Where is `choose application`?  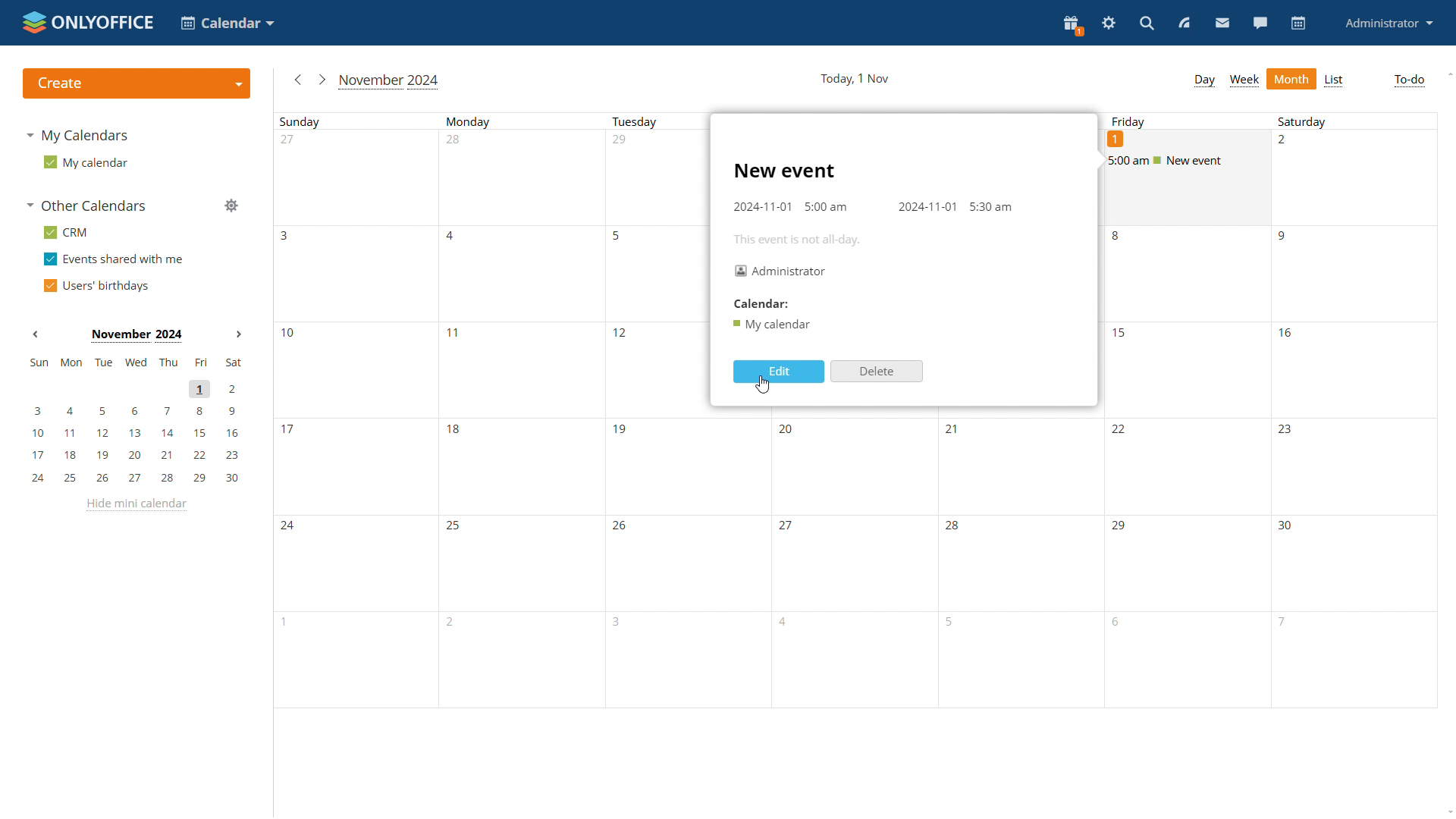
choose application is located at coordinates (226, 22).